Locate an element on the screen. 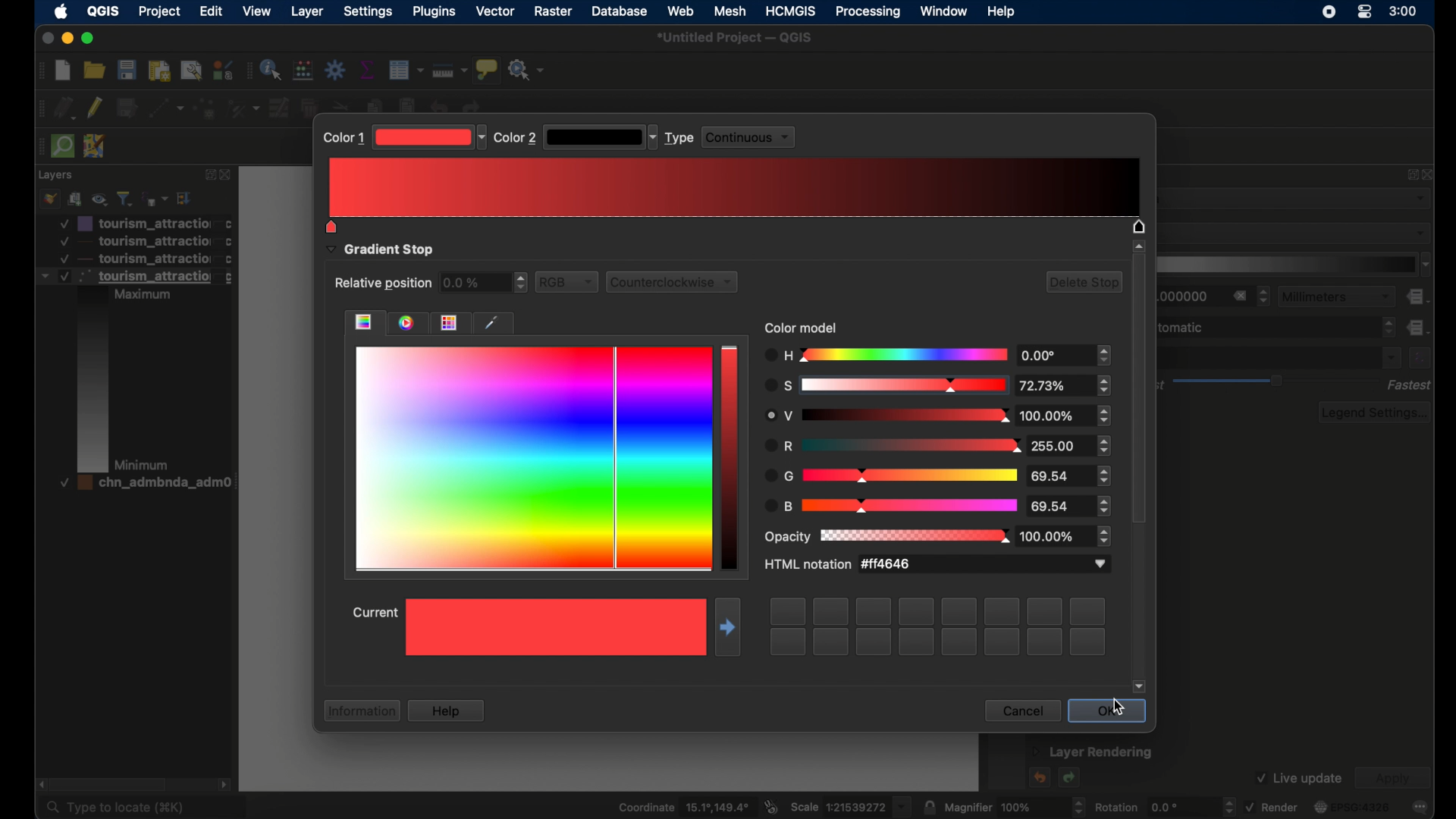 The image size is (1456, 819). S is located at coordinates (778, 384).